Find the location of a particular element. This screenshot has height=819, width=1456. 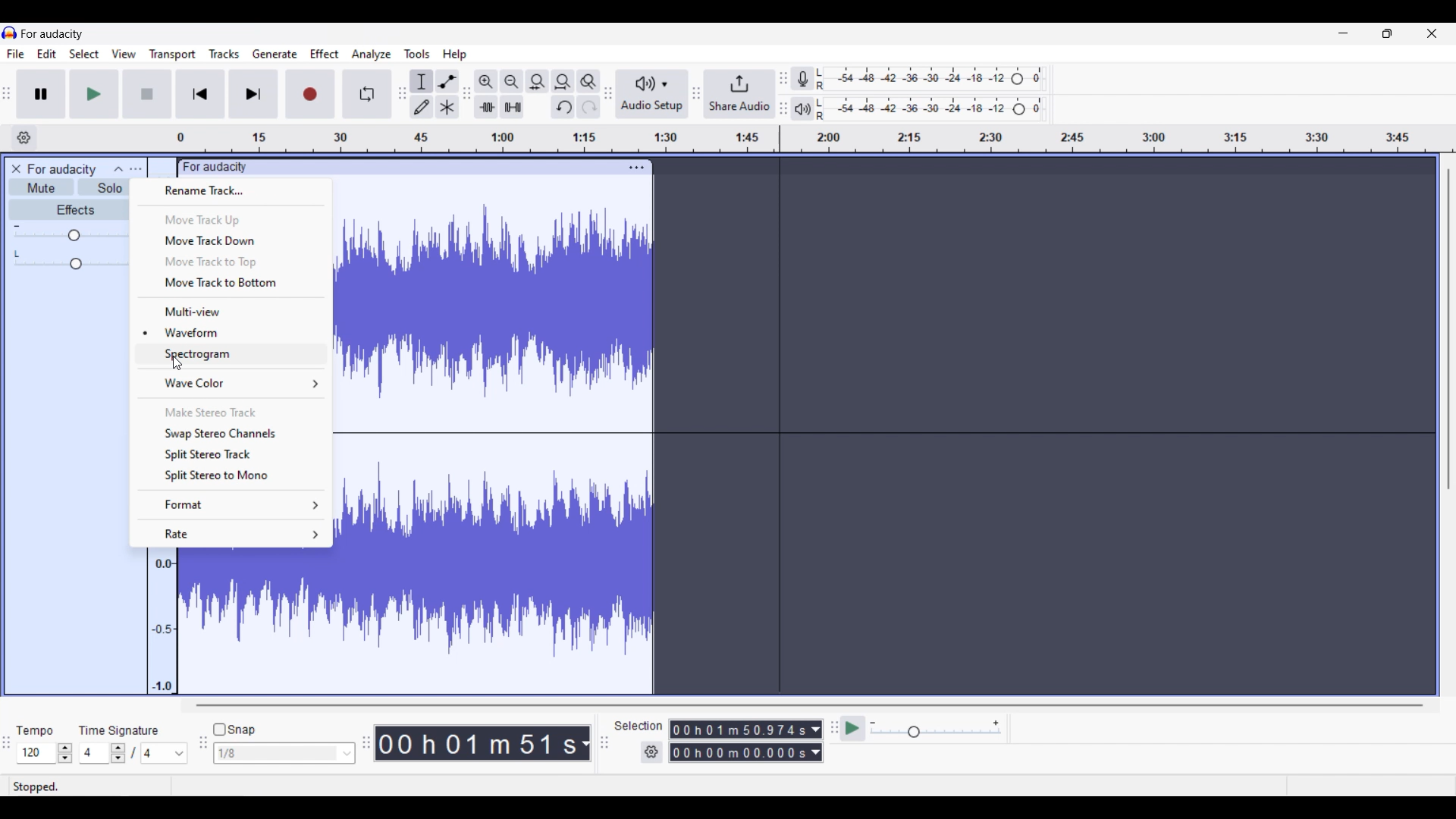

Effect menu is located at coordinates (325, 53).